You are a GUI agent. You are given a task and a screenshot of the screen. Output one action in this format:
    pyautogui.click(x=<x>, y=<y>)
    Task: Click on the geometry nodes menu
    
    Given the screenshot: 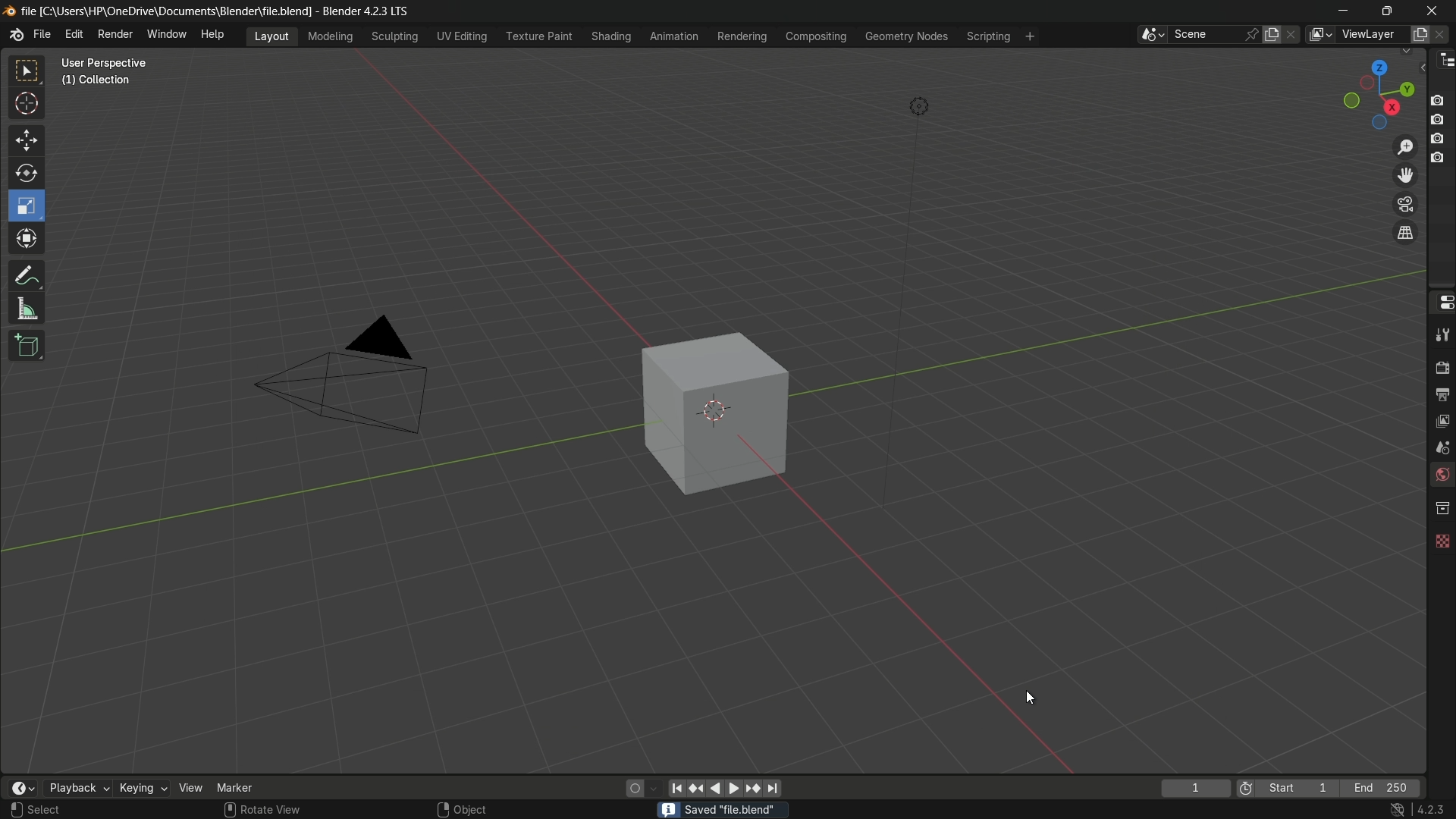 What is the action you would take?
    pyautogui.click(x=905, y=36)
    